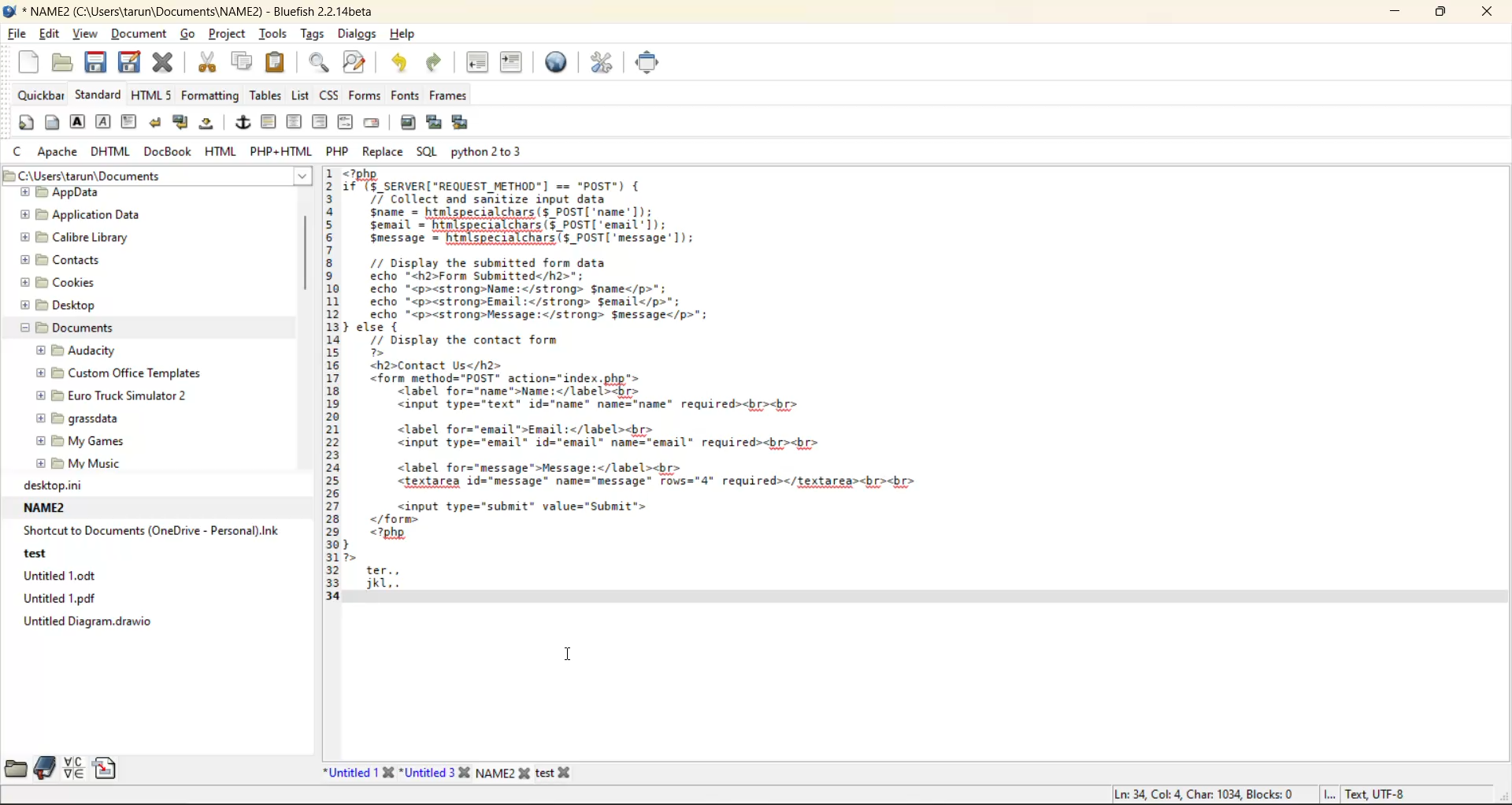 The image size is (1512, 805). What do you see at coordinates (43, 95) in the screenshot?
I see `quickbar` at bounding box center [43, 95].